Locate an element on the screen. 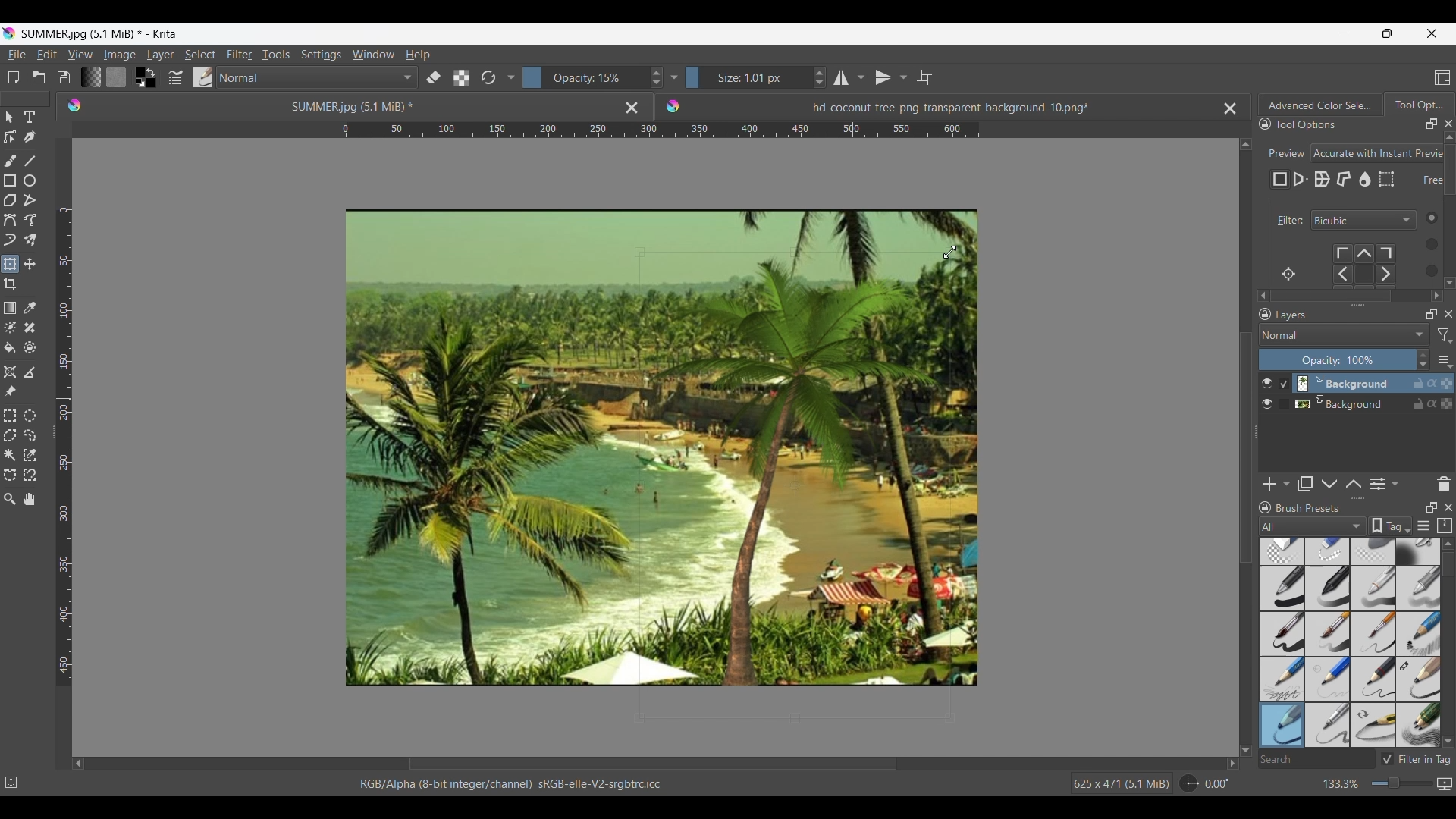  Show the tag box options is located at coordinates (1391, 526).